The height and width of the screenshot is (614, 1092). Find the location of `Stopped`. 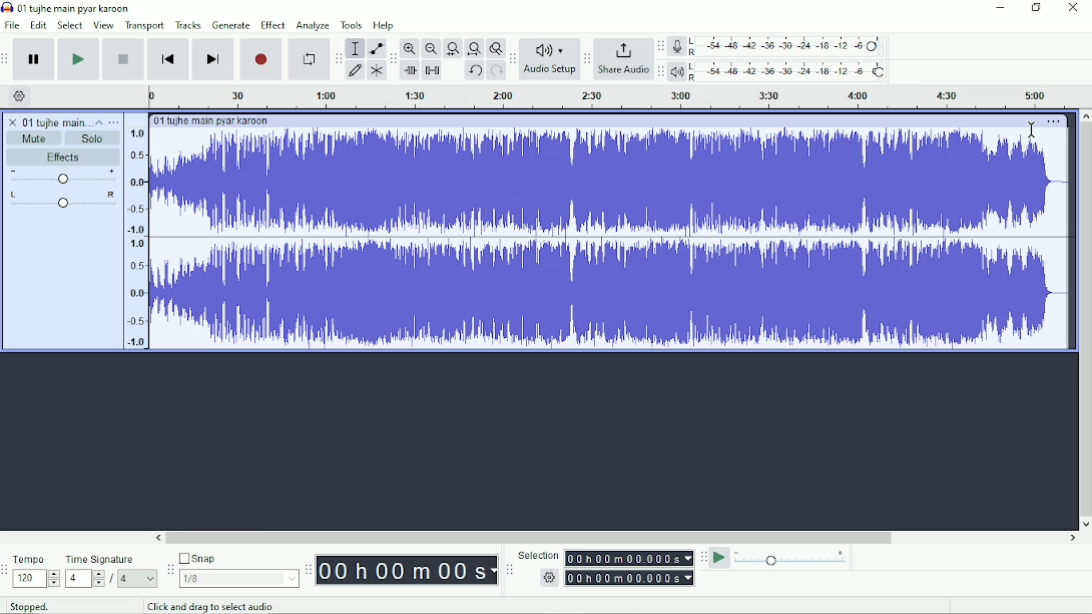

Stopped is located at coordinates (27, 607).